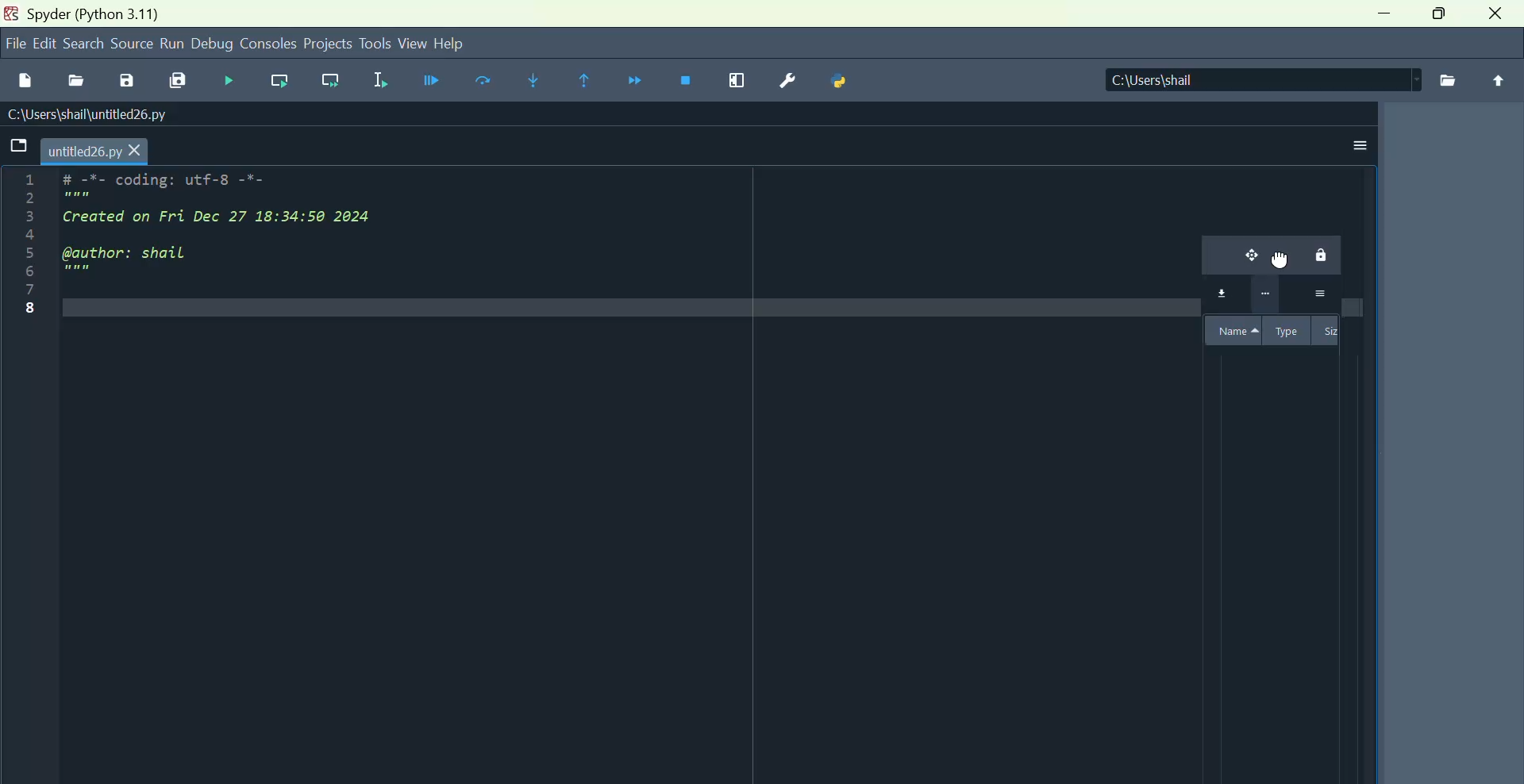  Describe the element at coordinates (1384, 16) in the screenshot. I see `minimise` at that location.